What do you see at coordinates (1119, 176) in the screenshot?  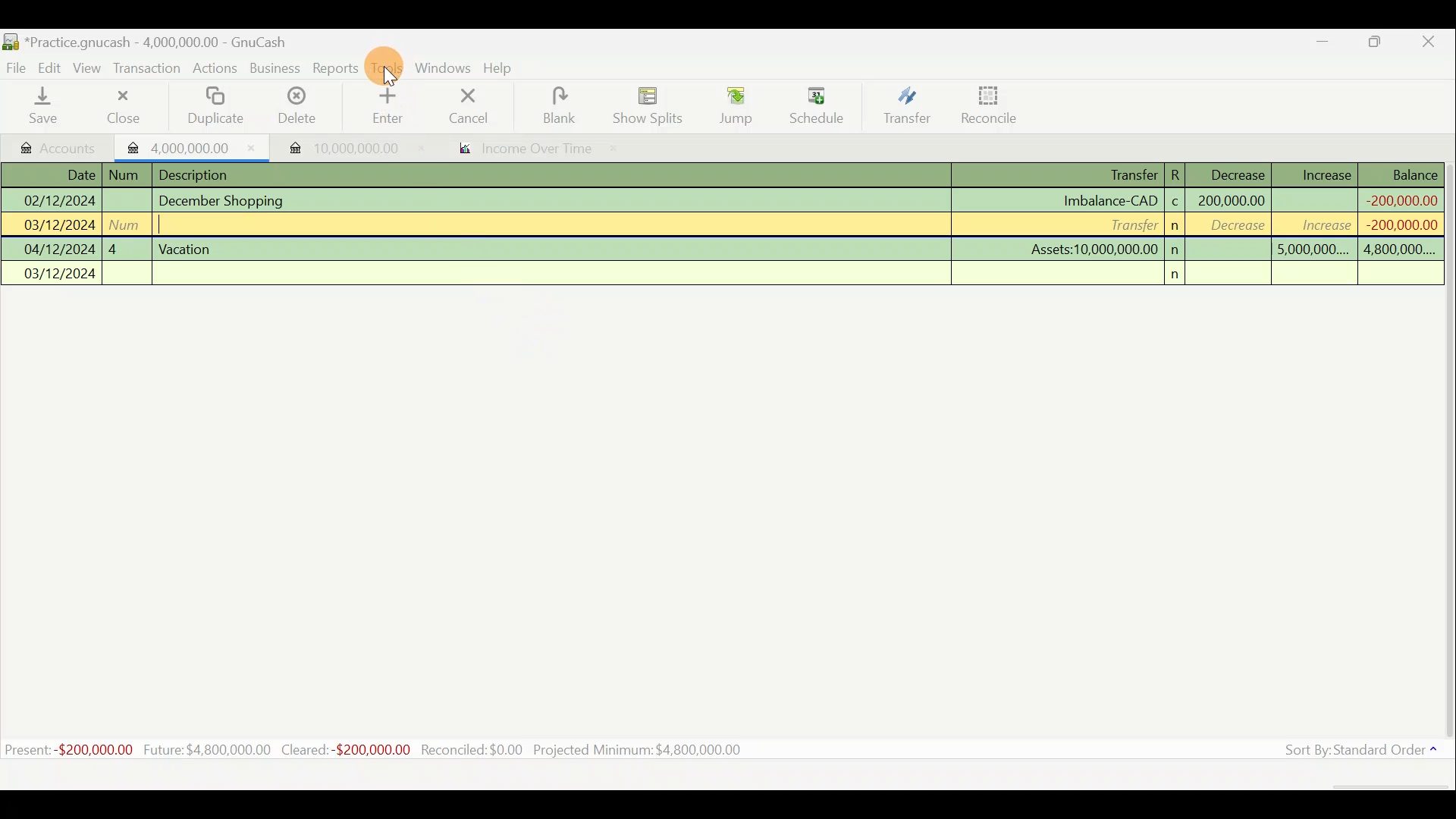 I see `Transfer` at bounding box center [1119, 176].